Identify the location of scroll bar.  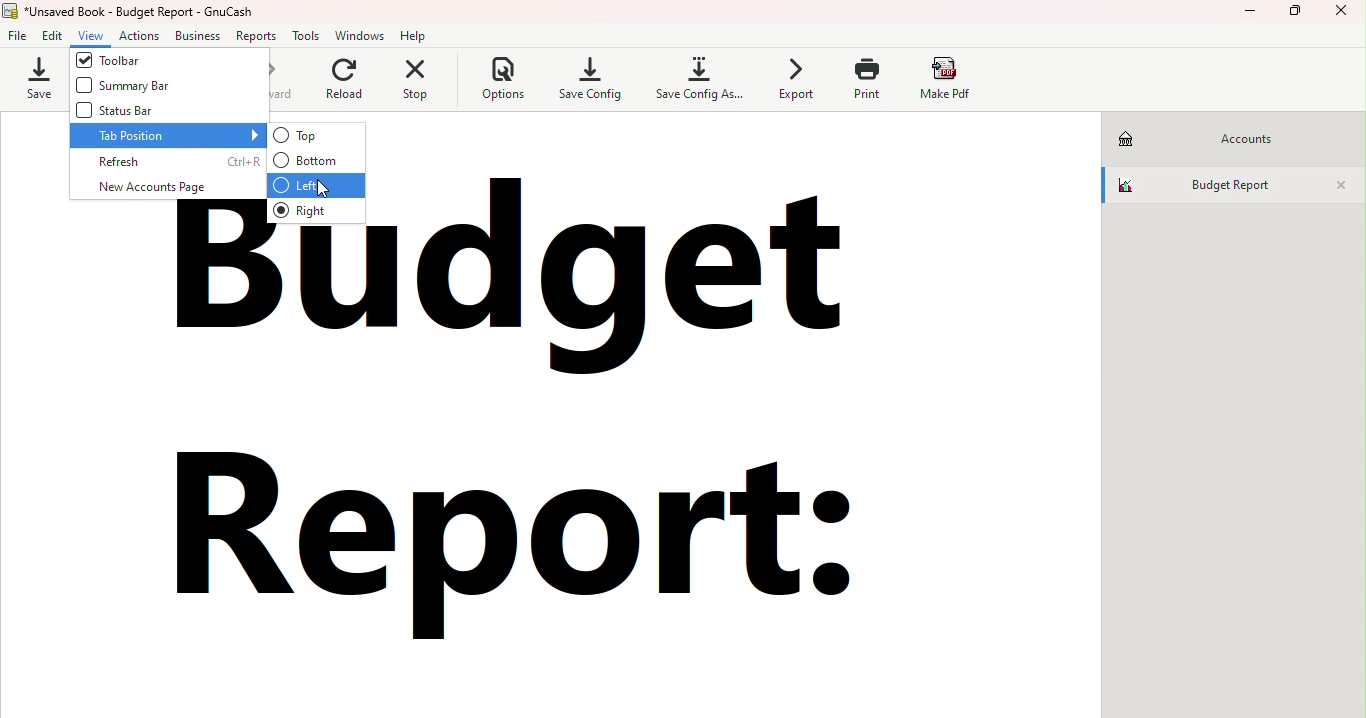
(1103, 410).